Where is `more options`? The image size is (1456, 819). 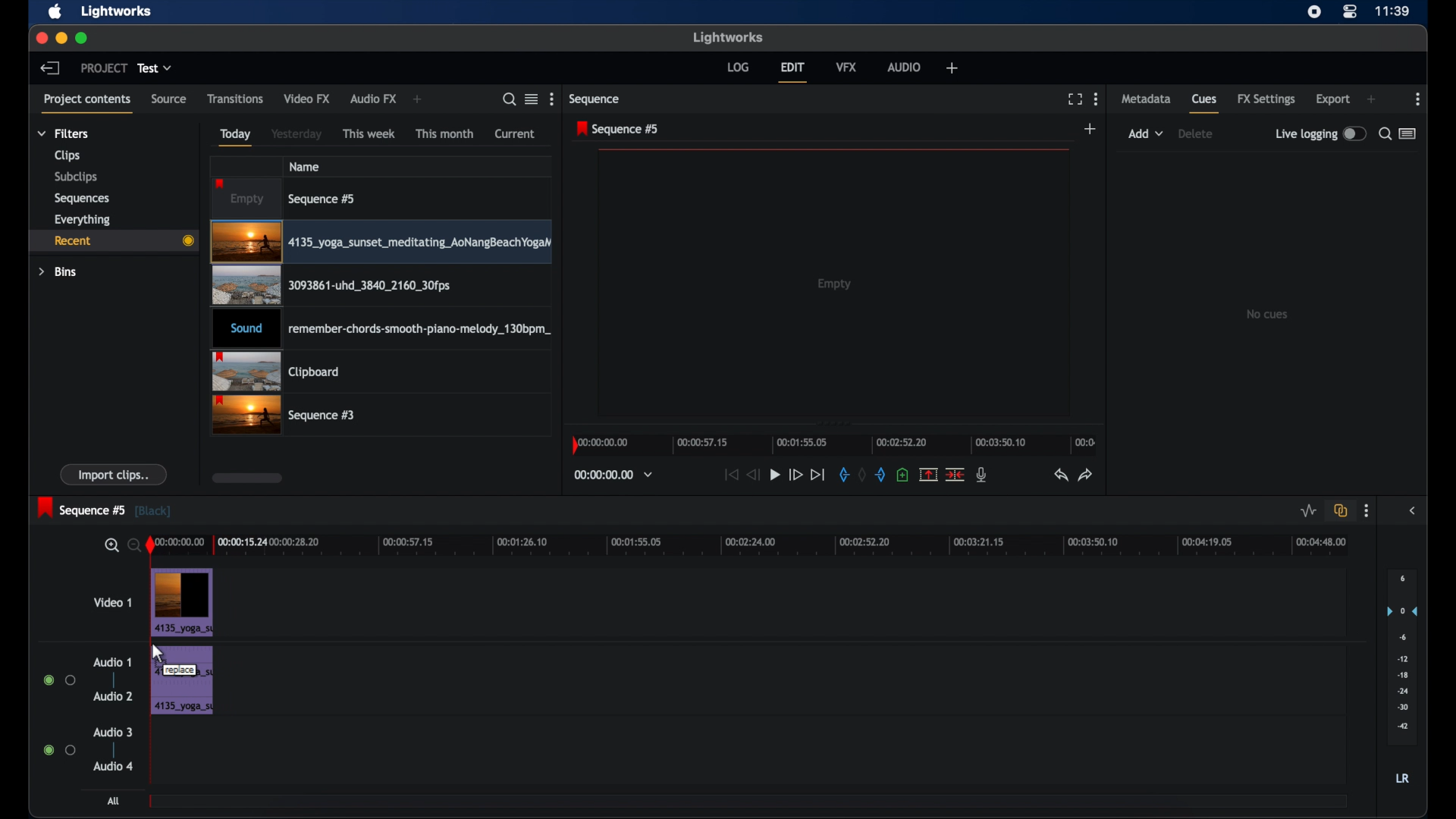
more options is located at coordinates (1367, 512).